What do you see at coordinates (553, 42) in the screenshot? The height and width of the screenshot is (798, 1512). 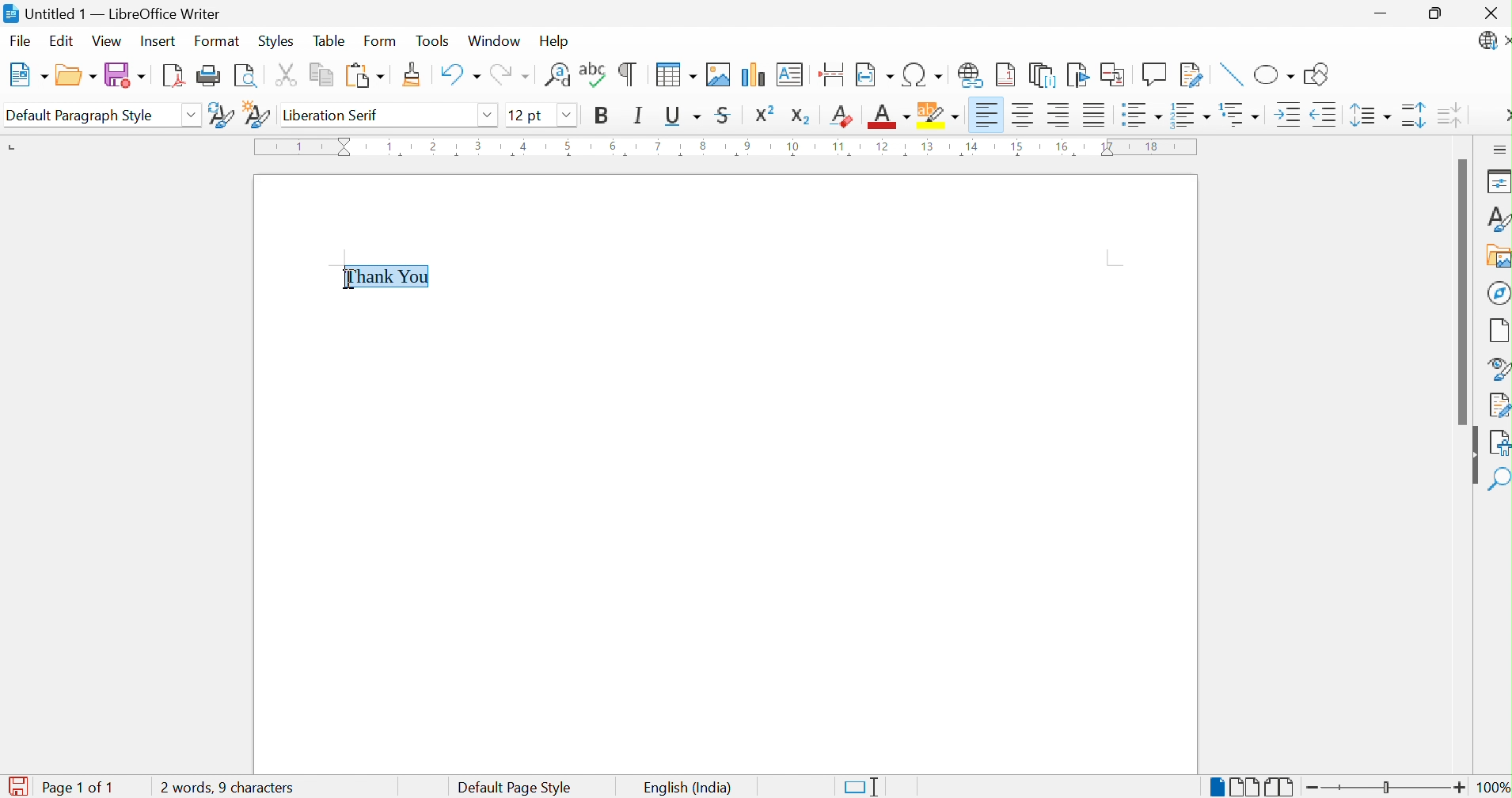 I see `Help` at bounding box center [553, 42].